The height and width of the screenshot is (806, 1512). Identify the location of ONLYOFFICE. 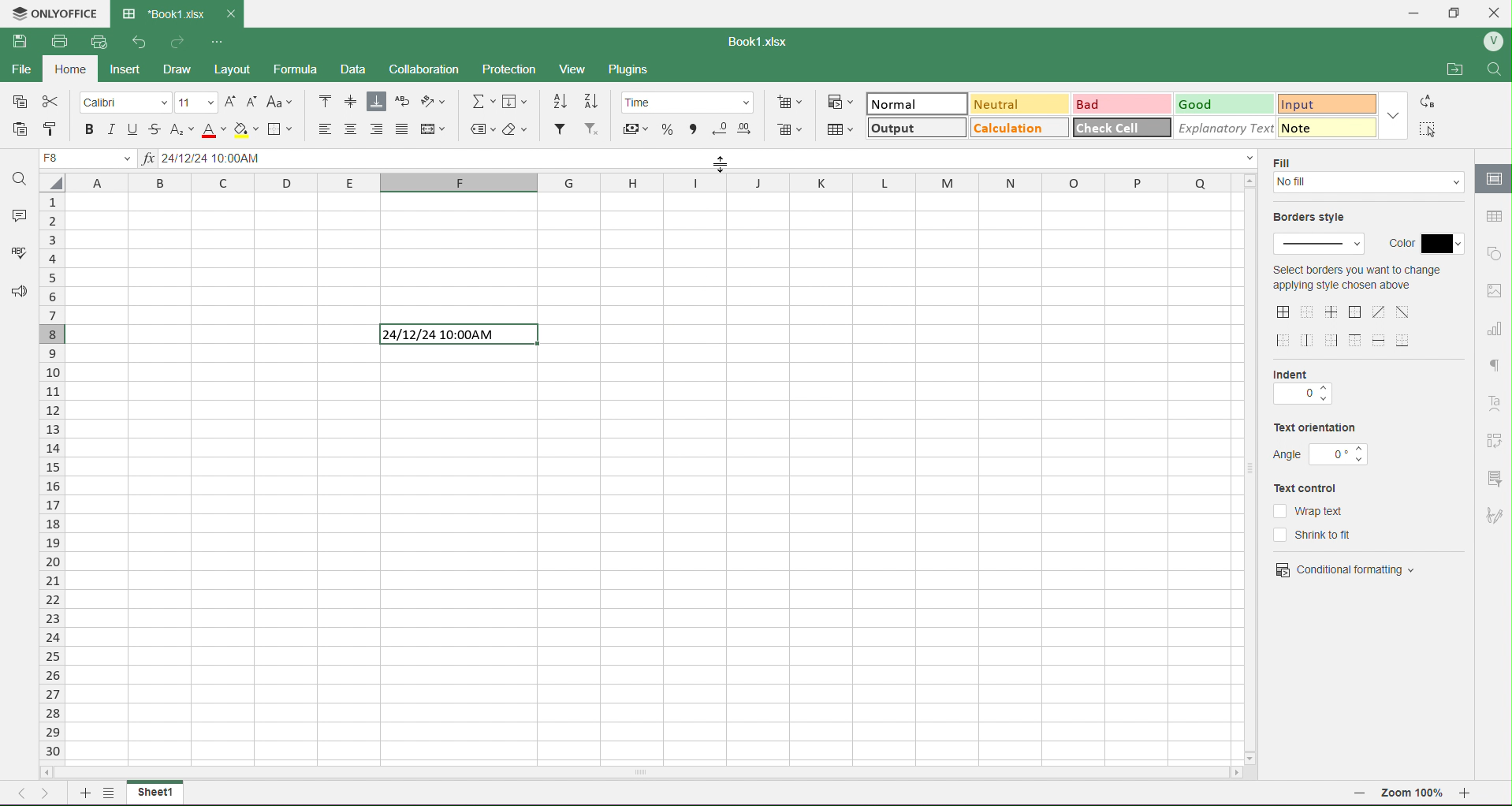
(54, 12).